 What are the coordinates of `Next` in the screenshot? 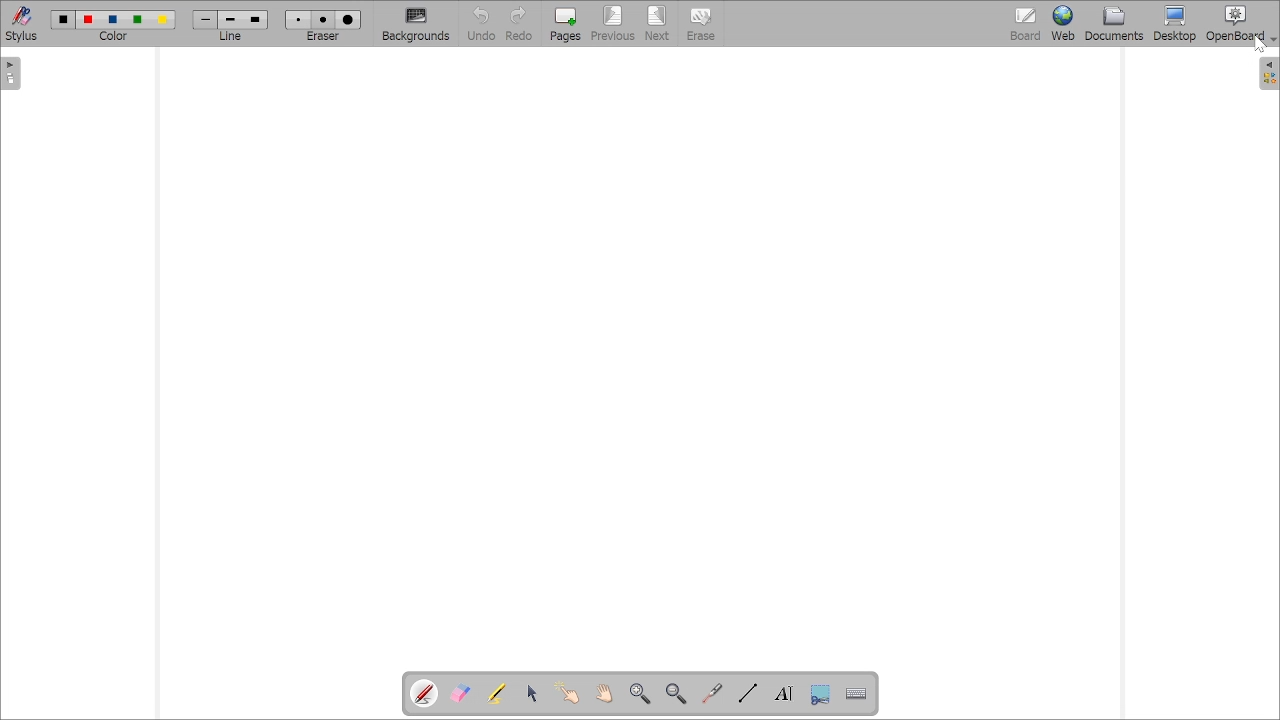 It's located at (658, 24).